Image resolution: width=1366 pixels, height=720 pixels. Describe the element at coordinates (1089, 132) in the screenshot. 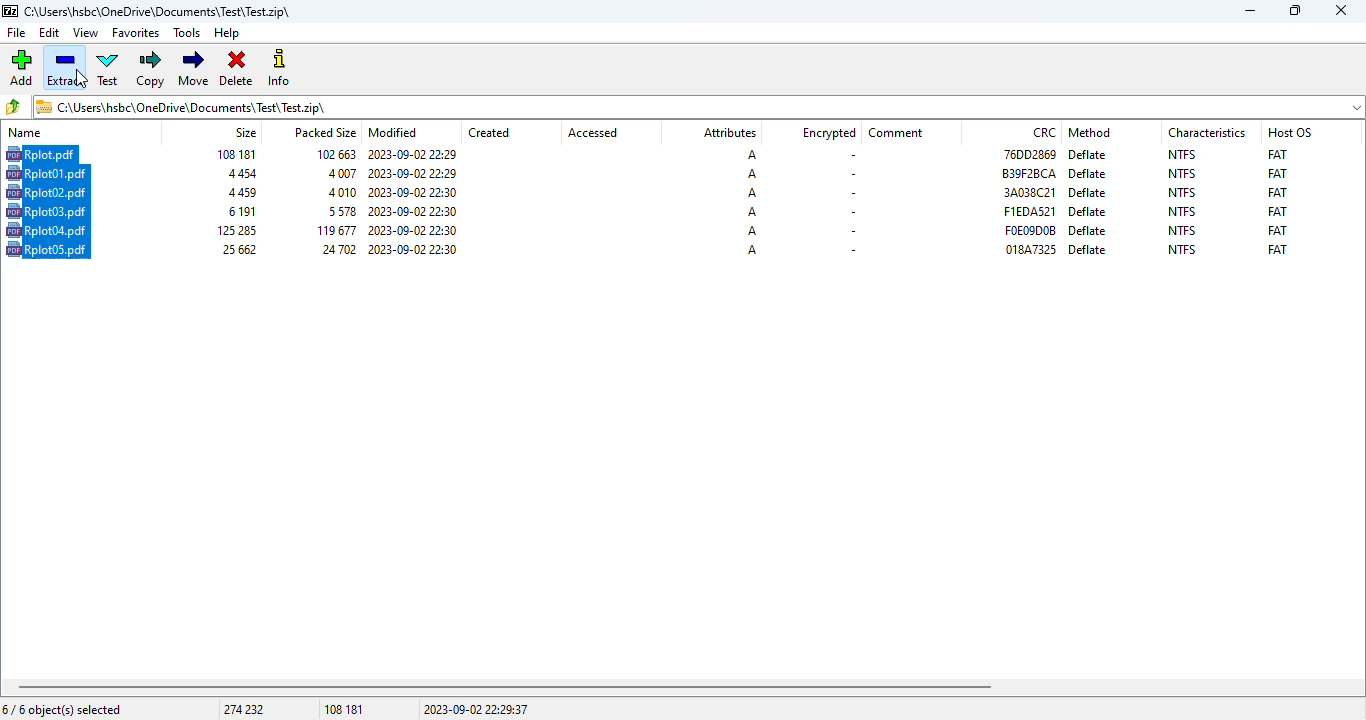

I see `method` at that location.